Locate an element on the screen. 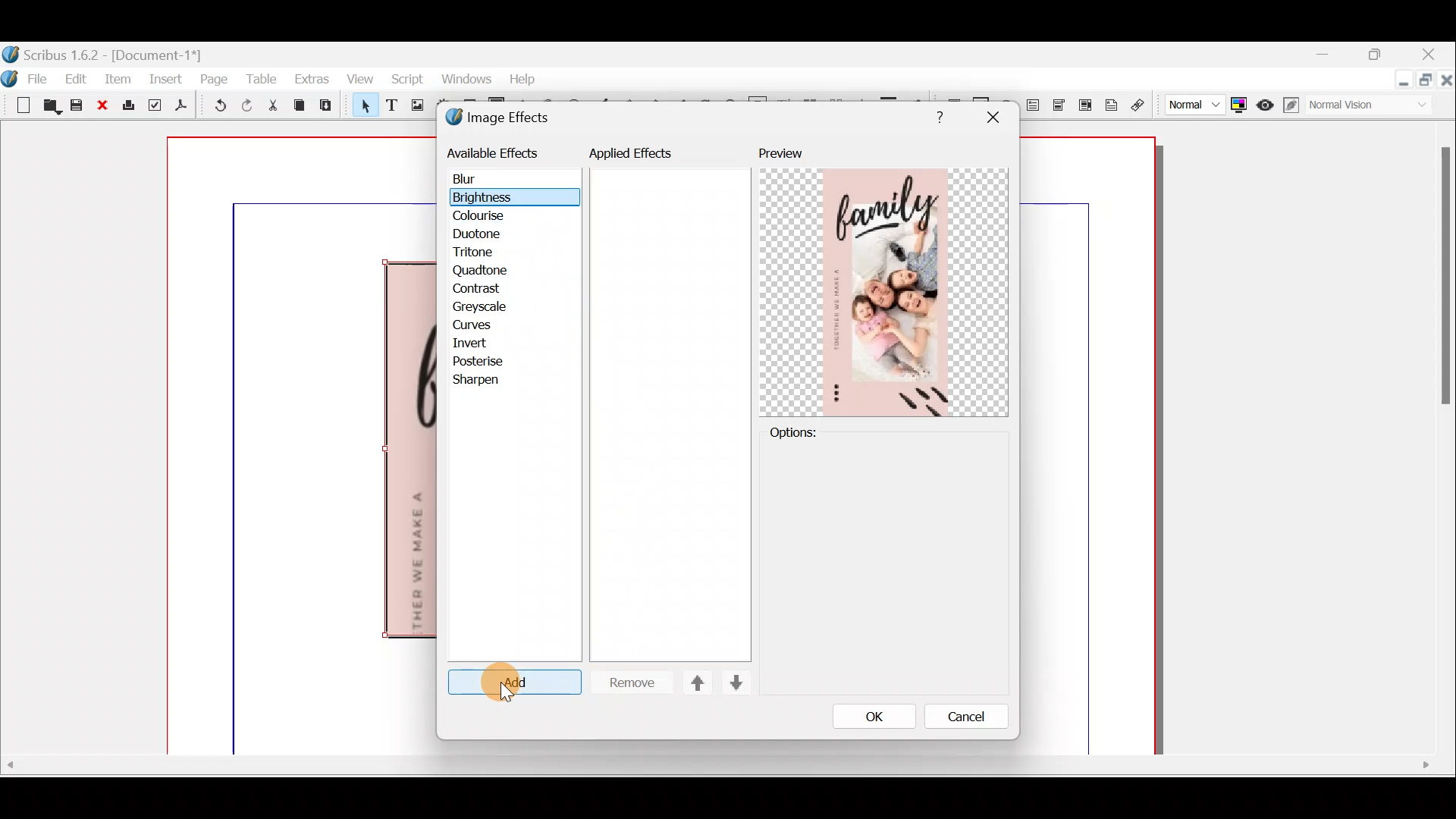 The height and width of the screenshot is (819, 1456). Close is located at coordinates (1447, 83).